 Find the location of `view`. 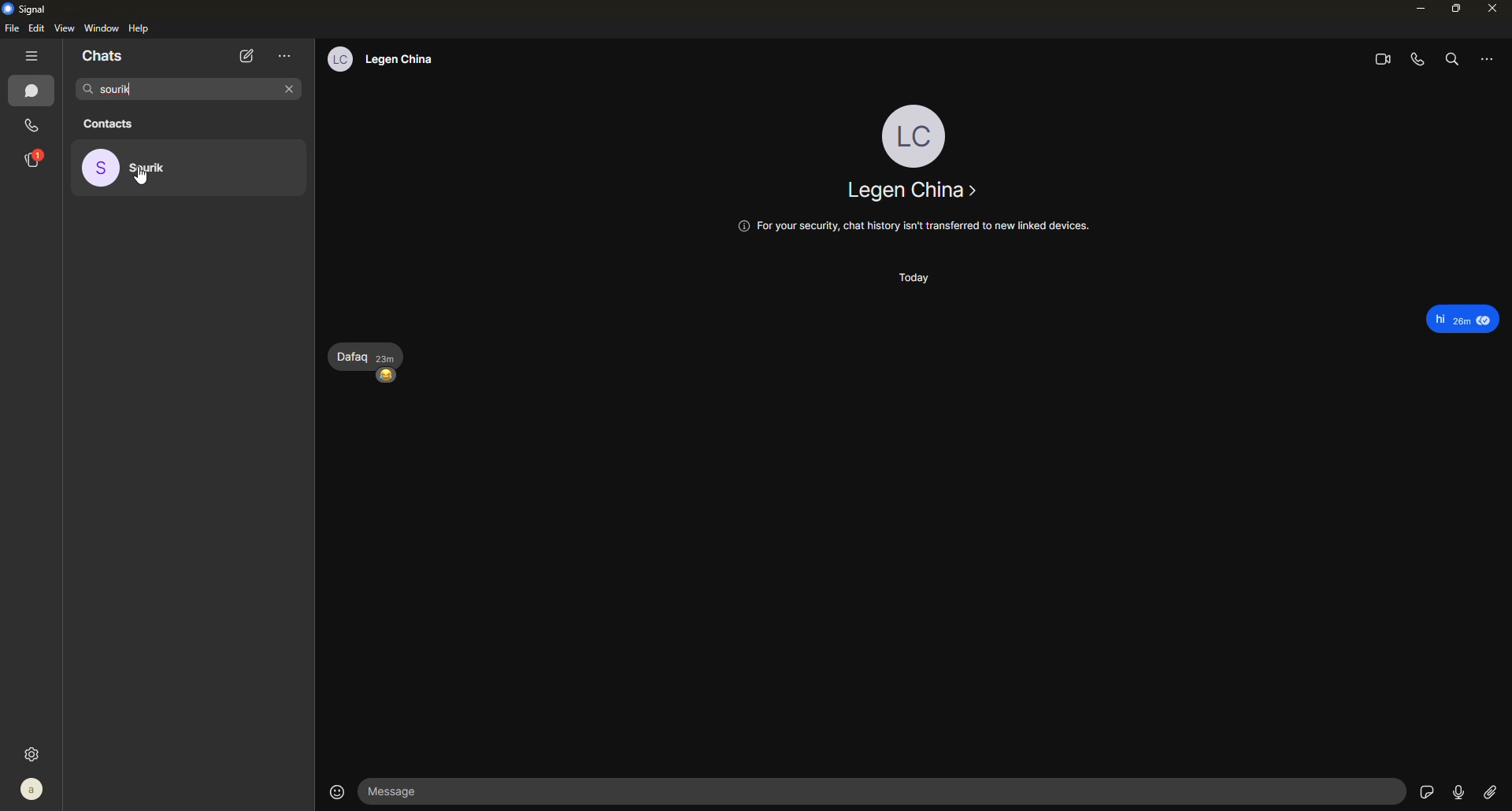

view is located at coordinates (64, 28).